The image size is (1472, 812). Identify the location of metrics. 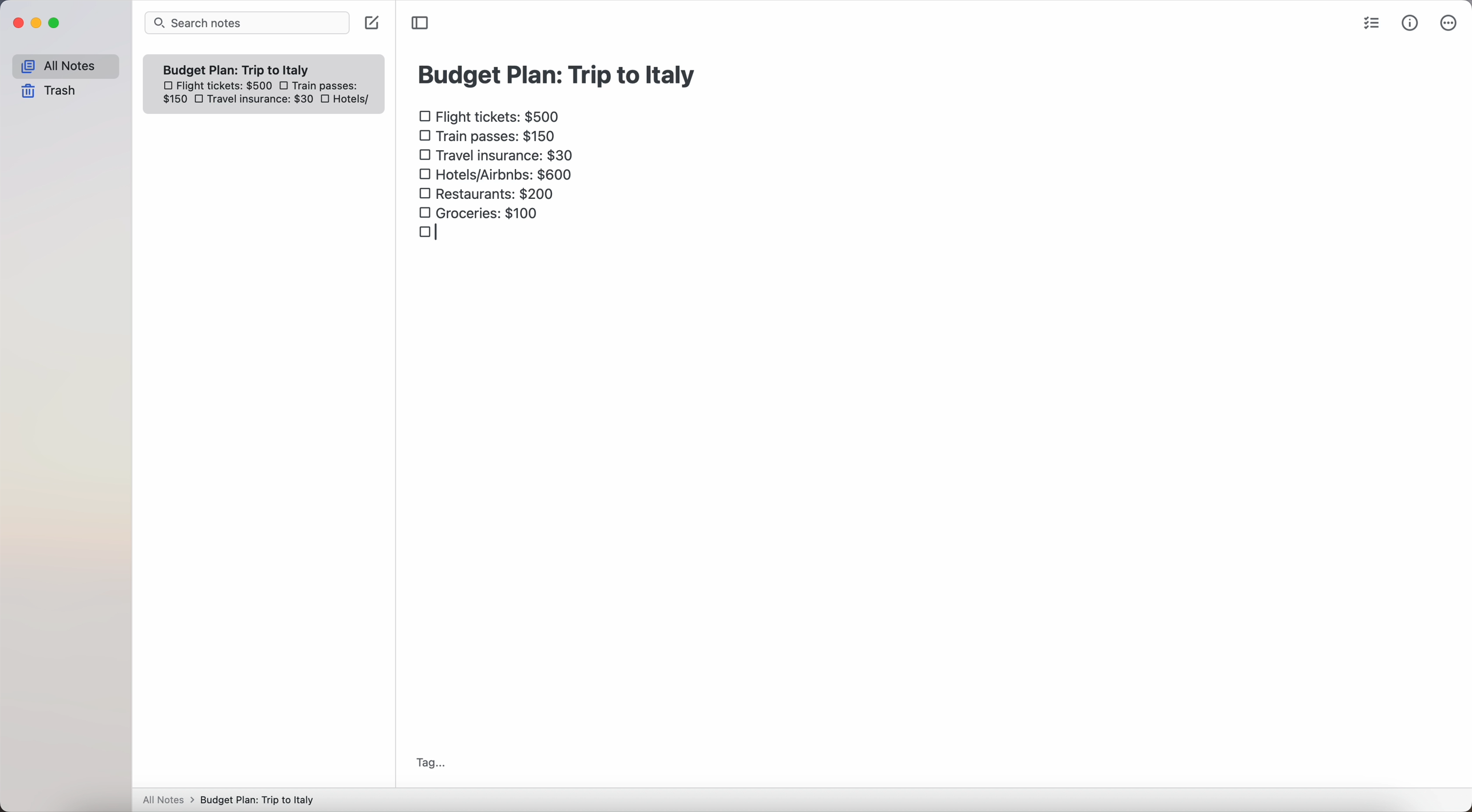
(1410, 25).